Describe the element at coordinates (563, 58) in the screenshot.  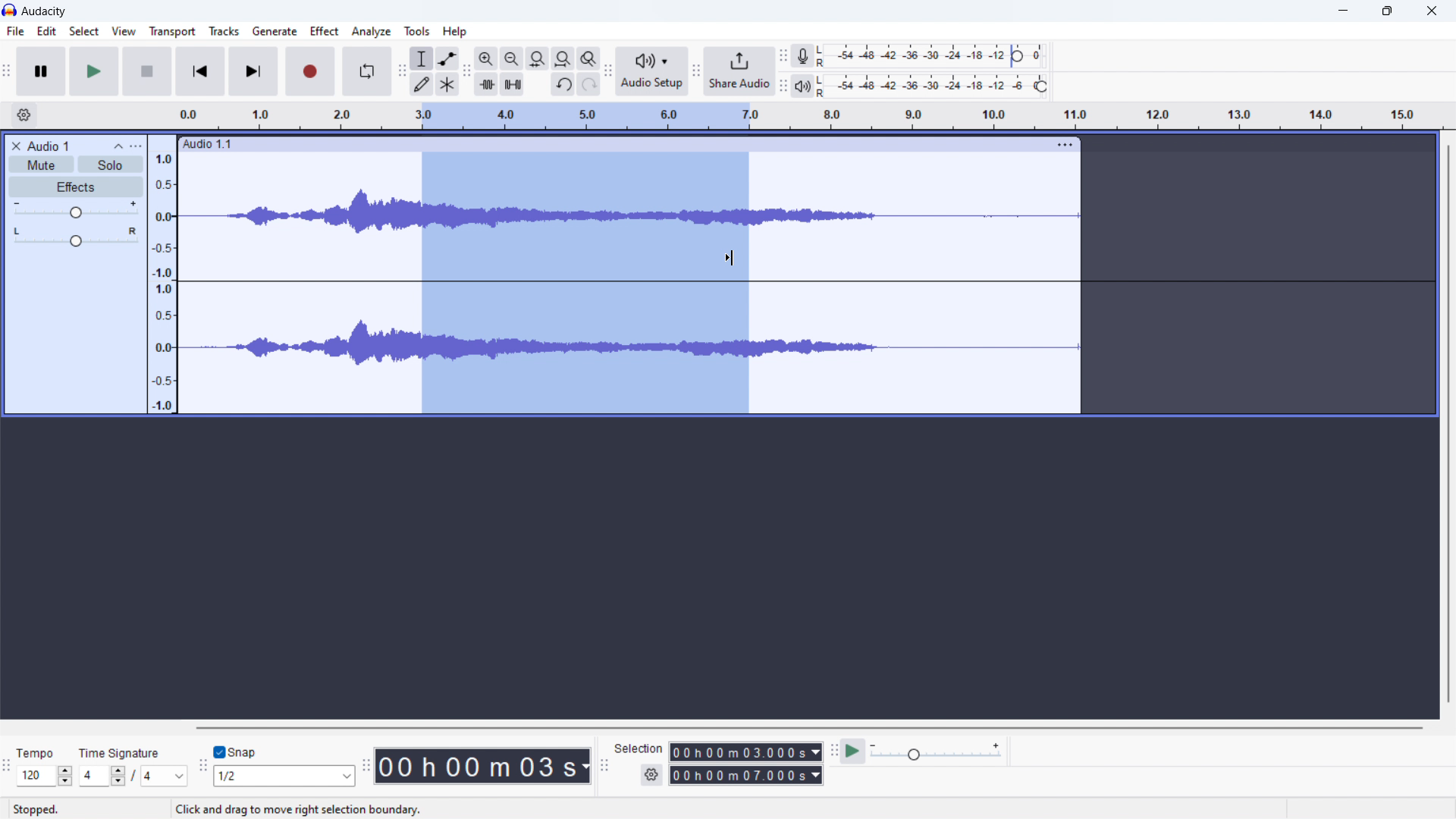
I see `fill project to width` at that location.